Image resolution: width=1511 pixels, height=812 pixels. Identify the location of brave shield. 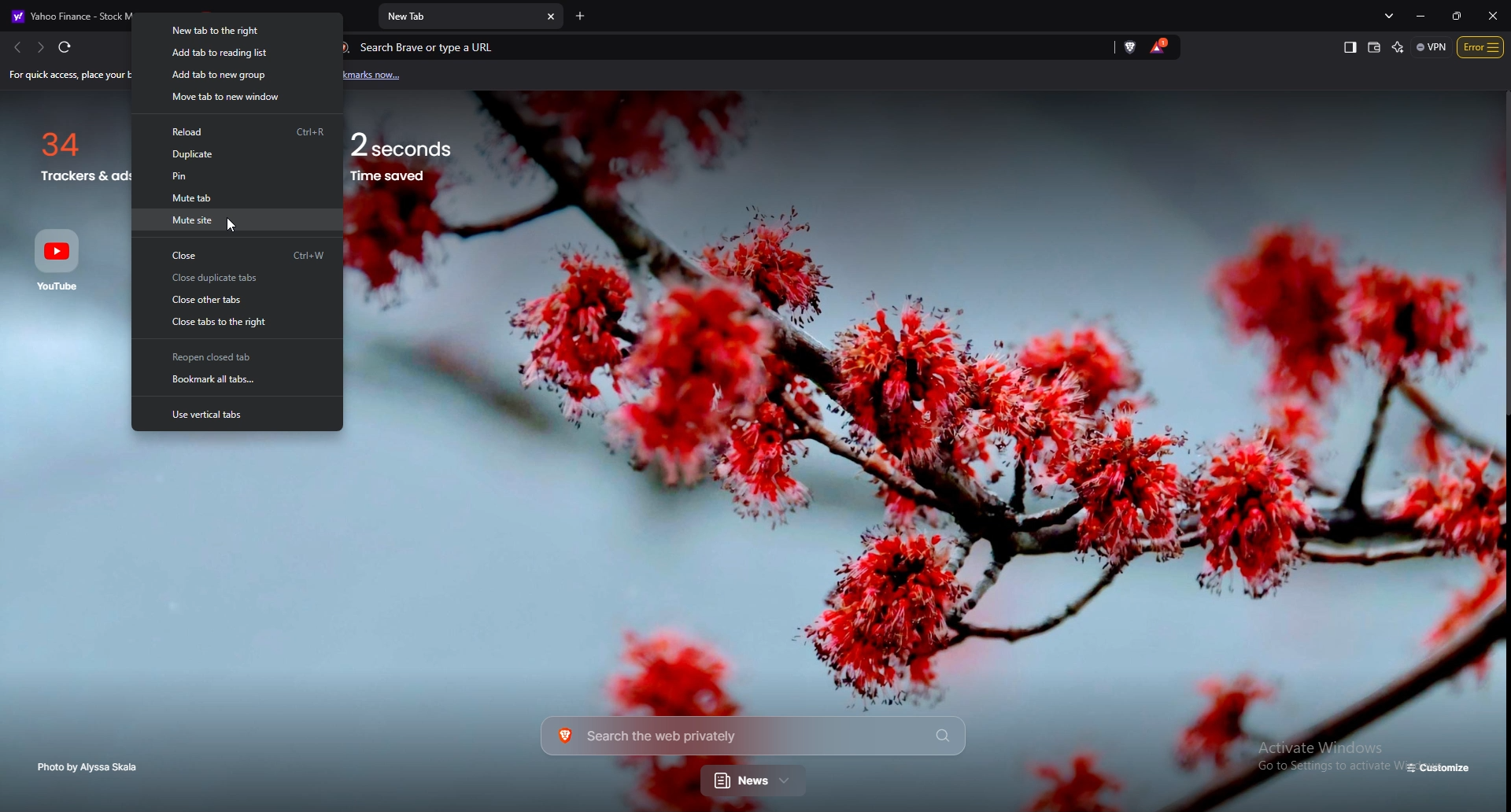
(1132, 46).